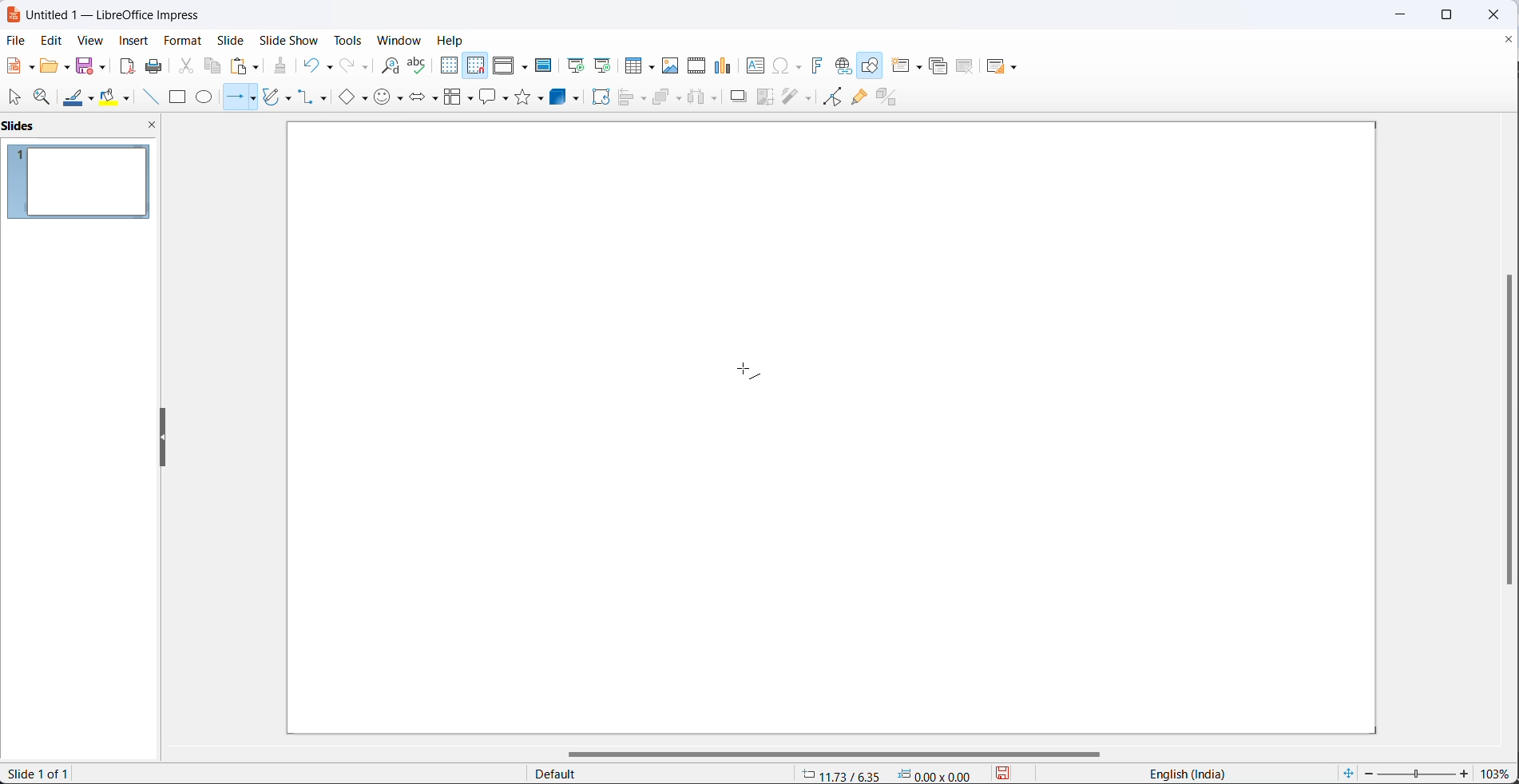  What do you see at coordinates (317, 65) in the screenshot?
I see `undo` at bounding box center [317, 65].